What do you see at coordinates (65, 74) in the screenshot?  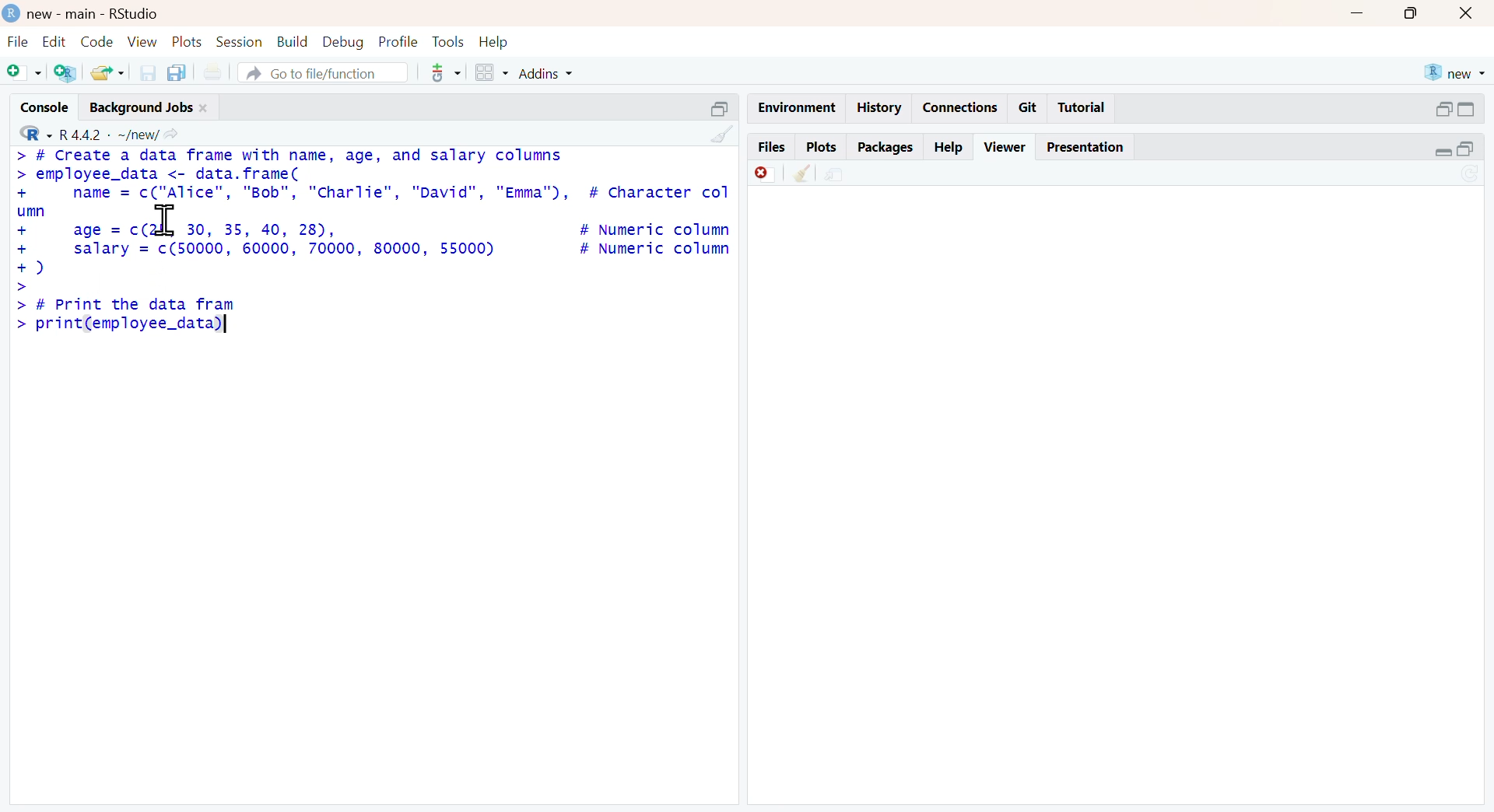 I see `Create new Project` at bounding box center [65, 74].